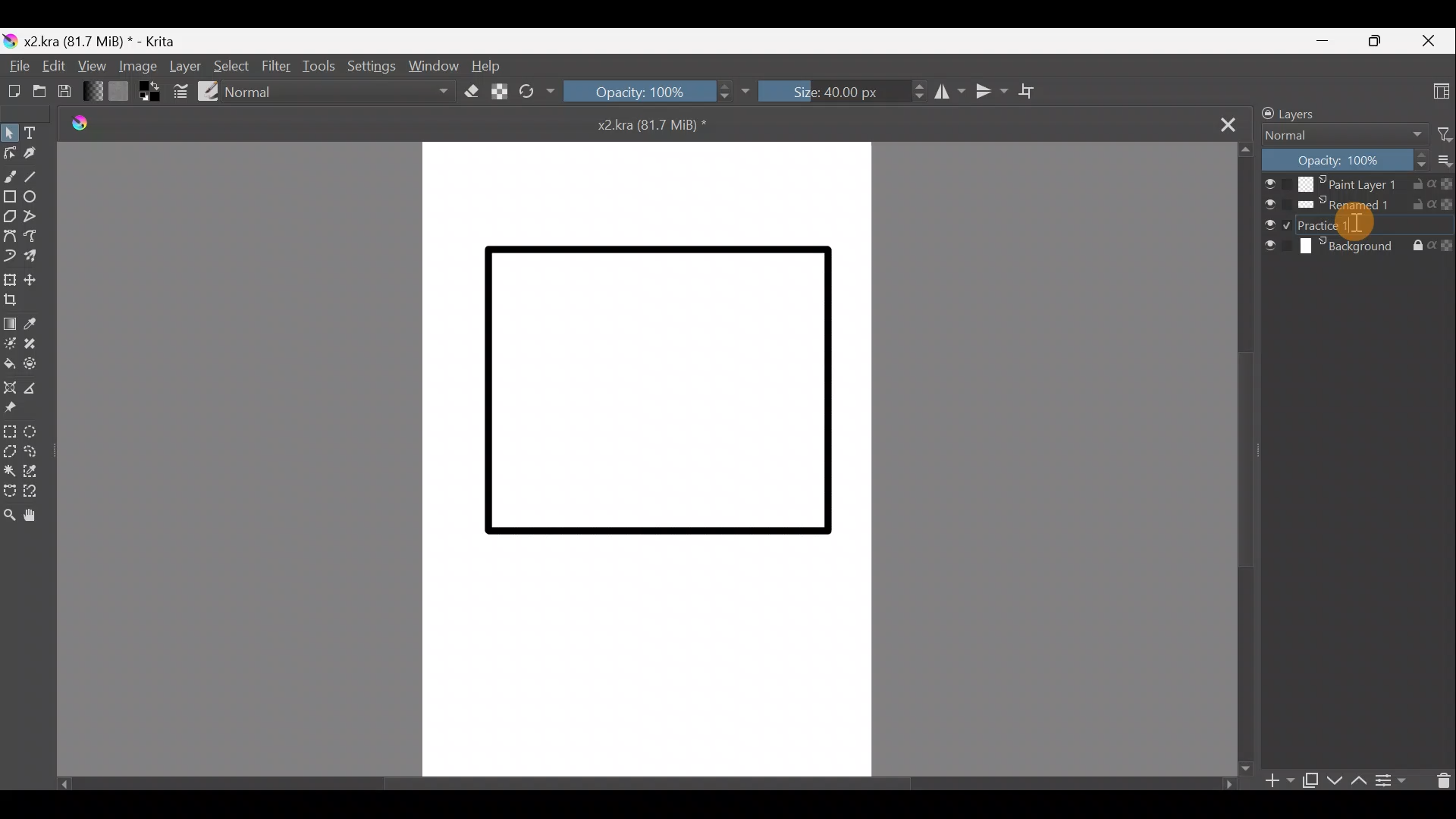 Image resolution: width=1456 pixels, height=819 pixels. What do you see at coordinates (179, 94) in the screenshot?
I see `Edit brush settings` at bounding box center [179, 94].